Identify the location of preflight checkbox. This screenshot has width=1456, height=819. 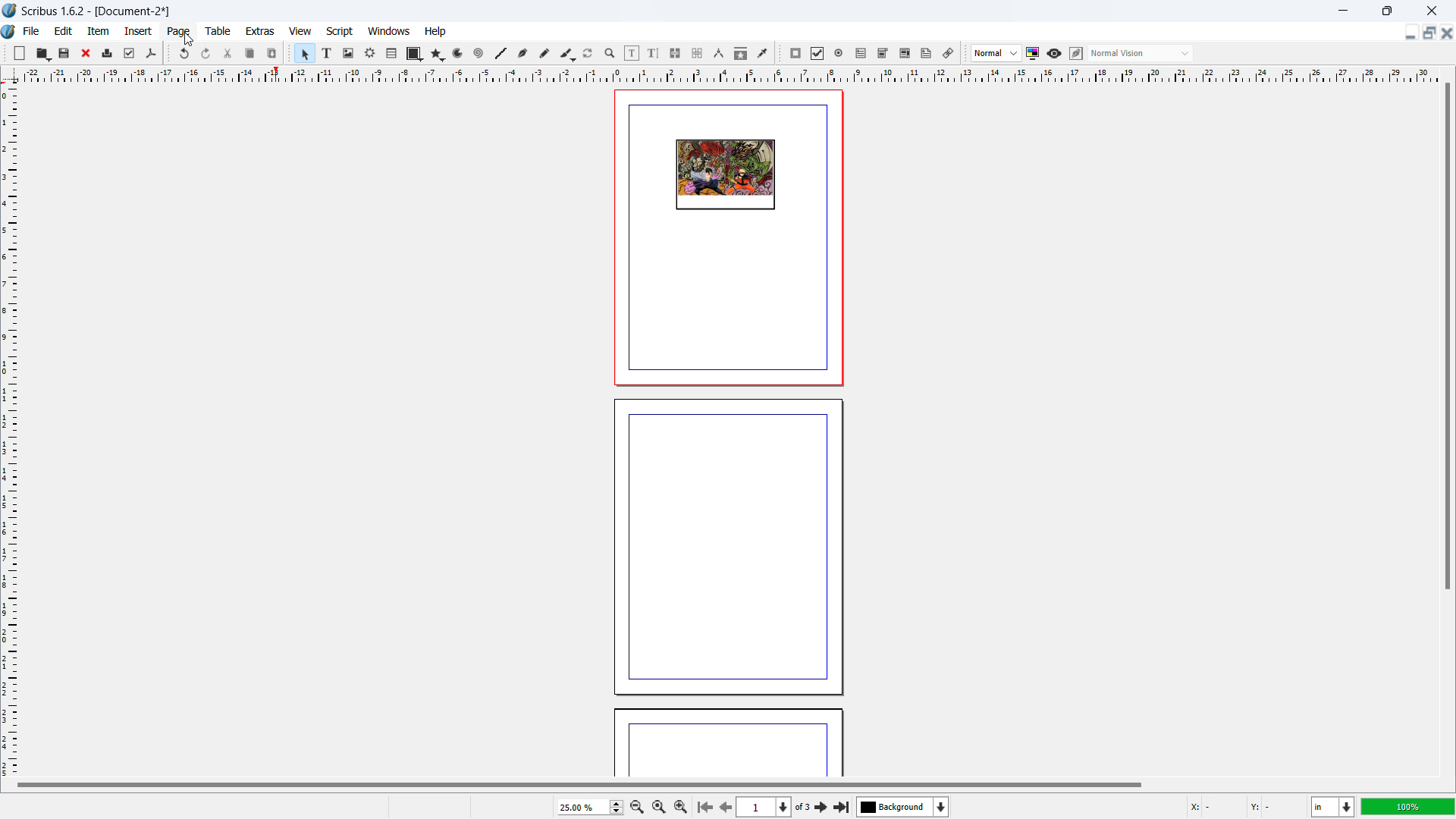
(130, 53).